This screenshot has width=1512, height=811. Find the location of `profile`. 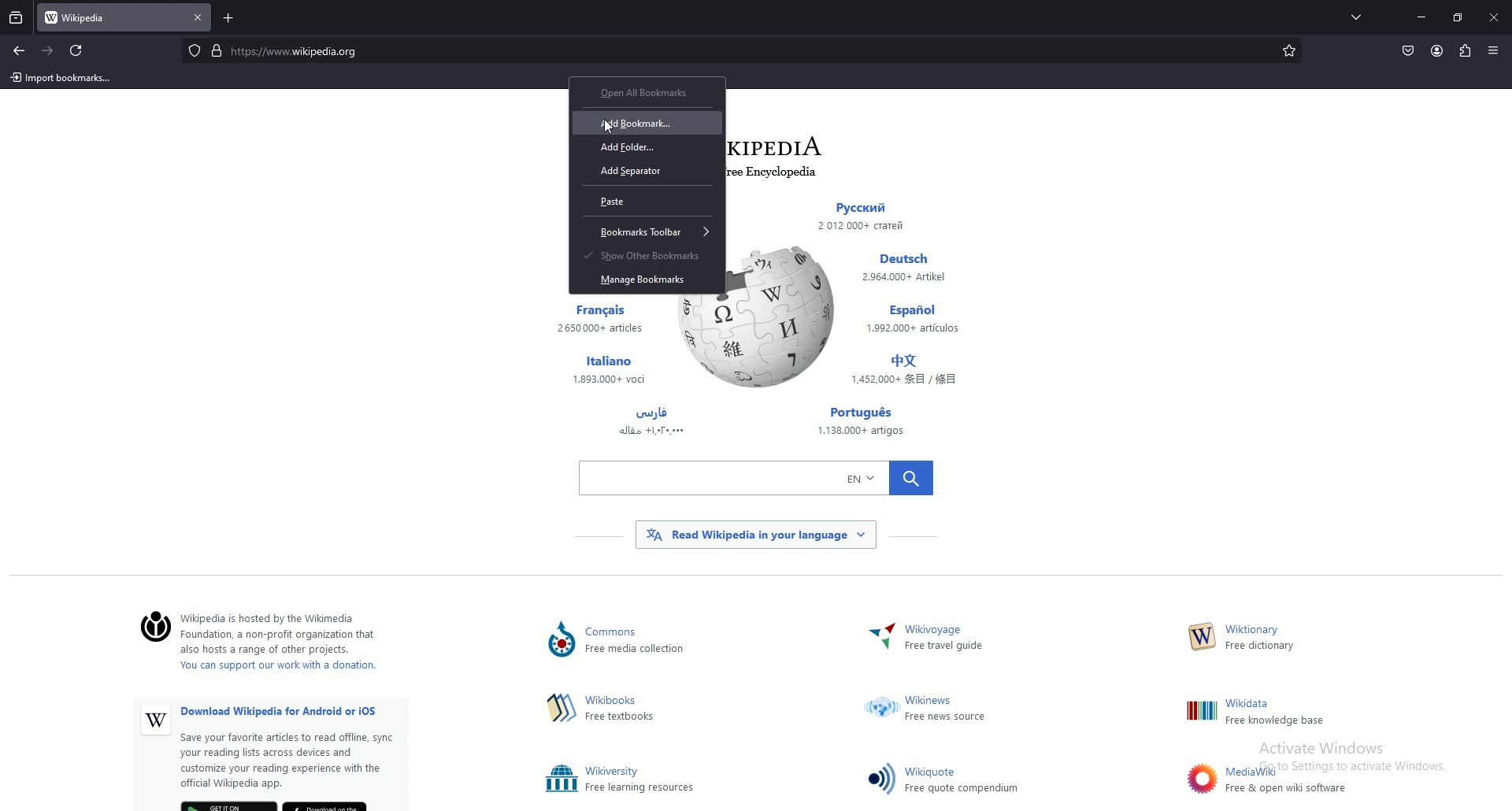

profile is located at coordinates (1437, 51).